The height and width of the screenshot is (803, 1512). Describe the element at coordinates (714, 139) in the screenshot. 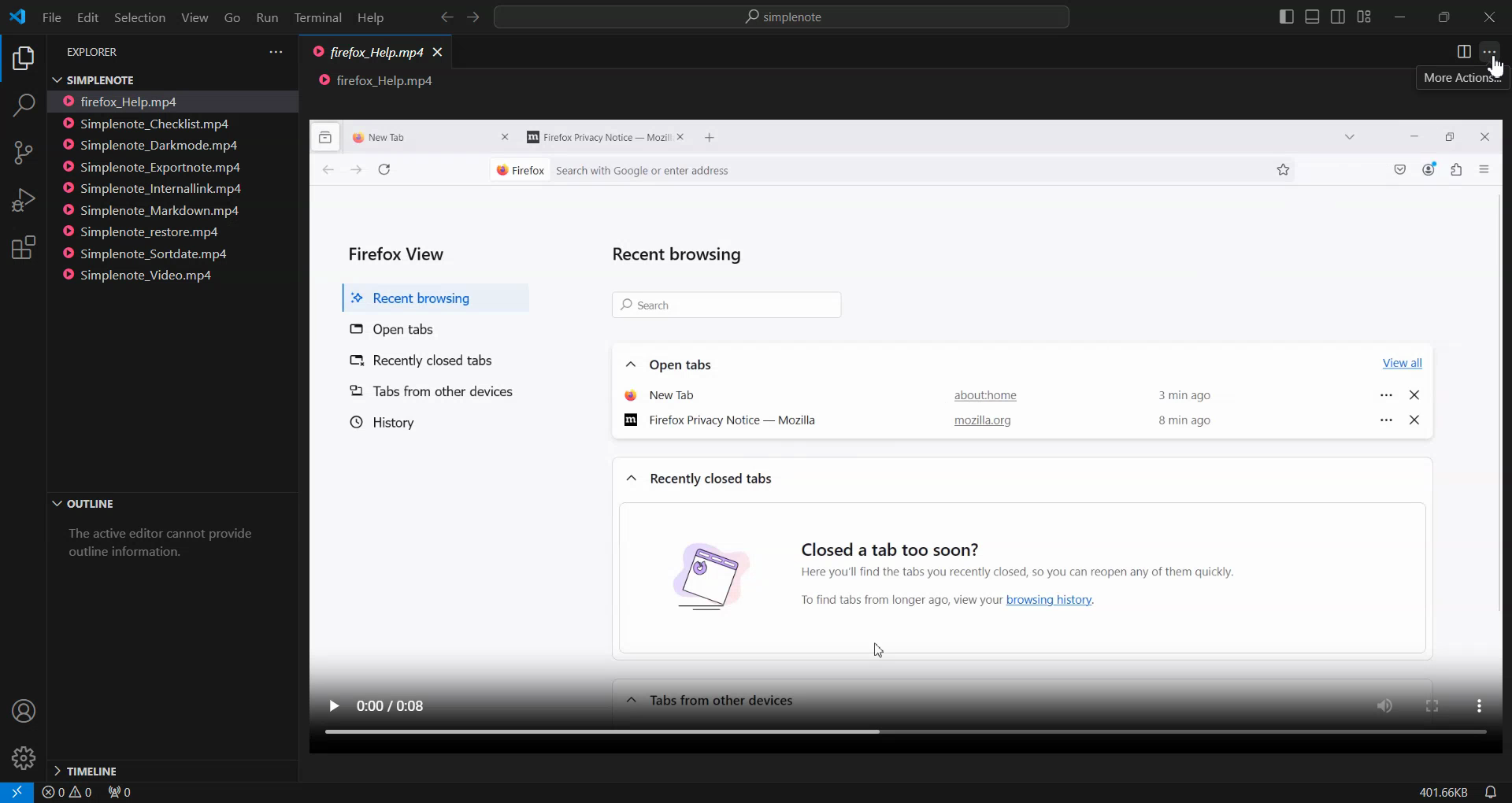

I see `add new tab` at that location.